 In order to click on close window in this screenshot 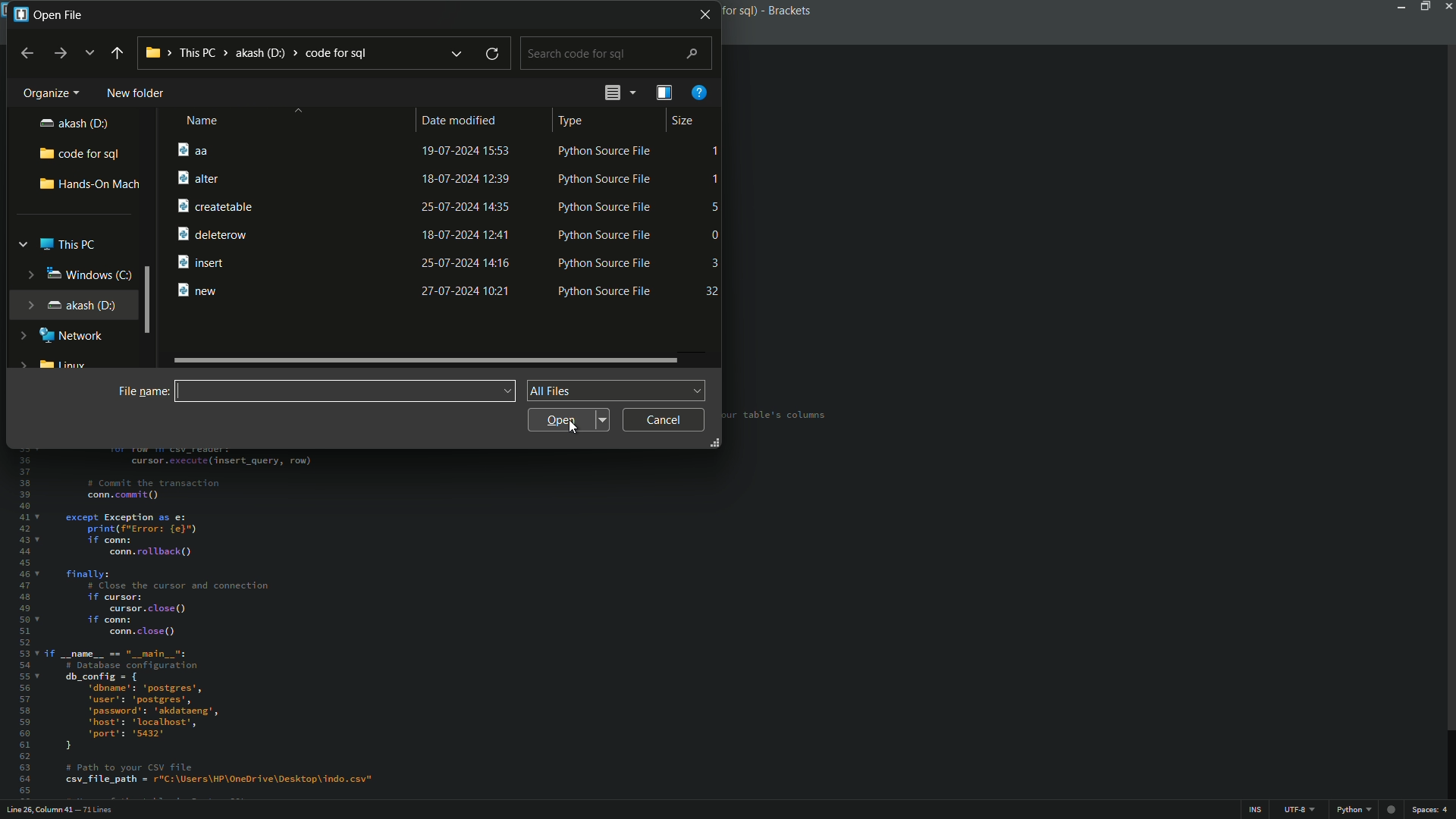, I will do `click(706, 14)`.